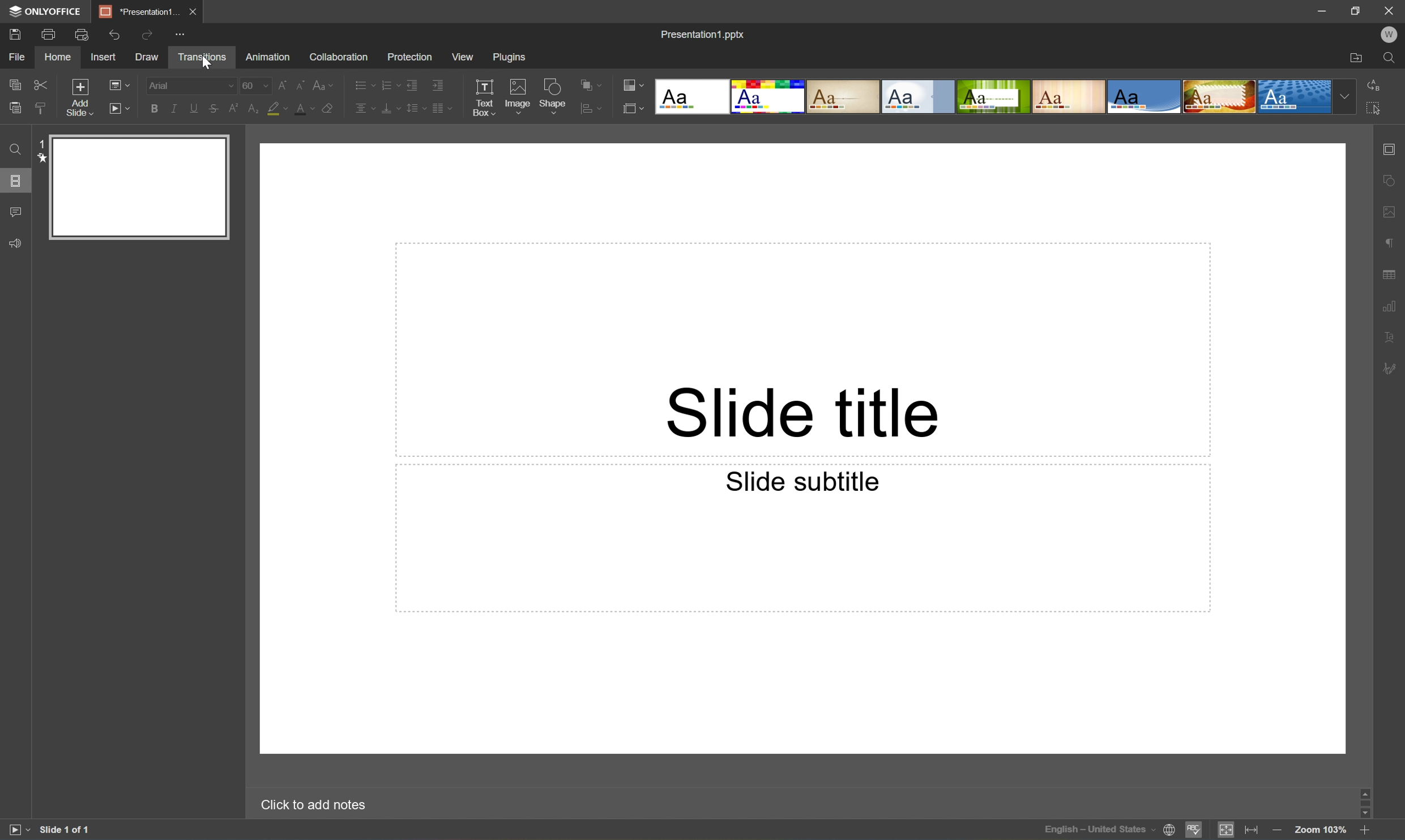 The width and height of the screenshot is (1405, 840). I want to click on Scroll Up, so click(1362, 788).